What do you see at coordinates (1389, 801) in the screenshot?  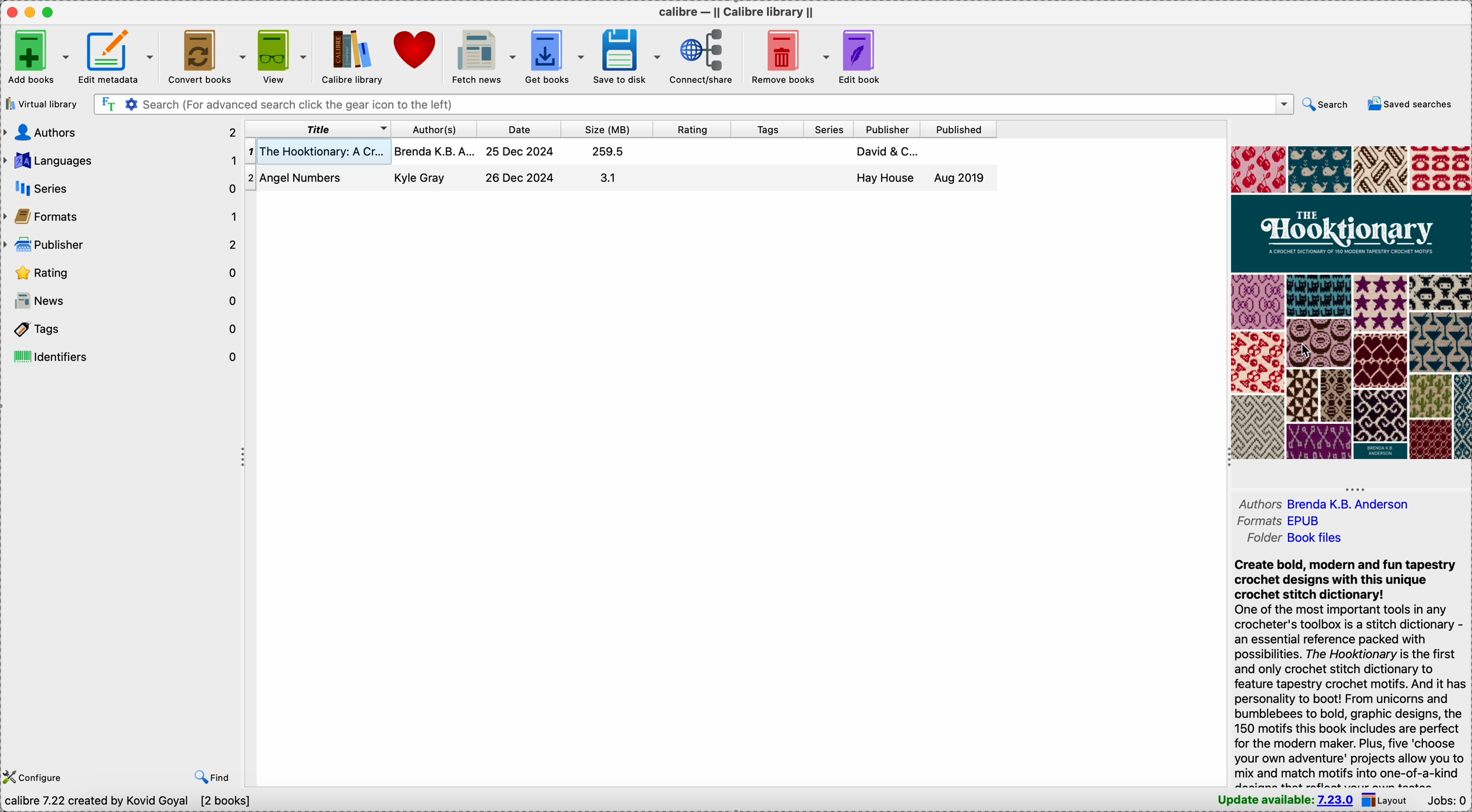 I see `layout` at bounding box center [1389, 801].